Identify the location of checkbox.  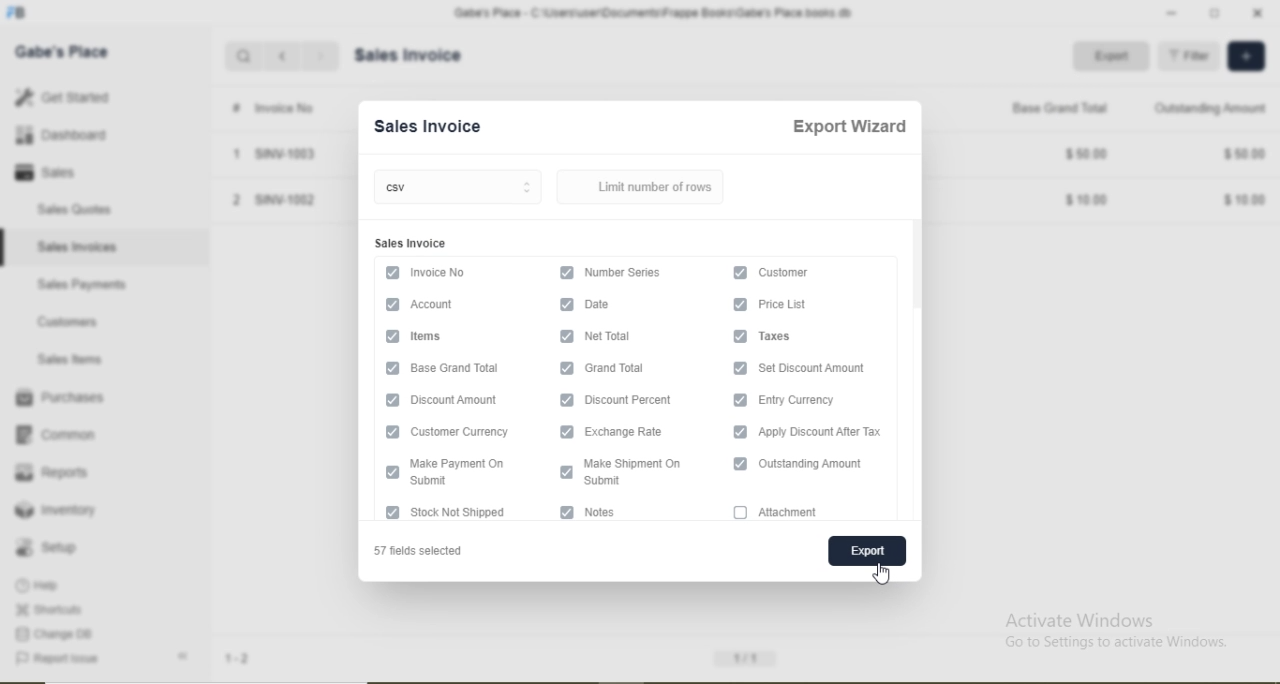
(740, 513).